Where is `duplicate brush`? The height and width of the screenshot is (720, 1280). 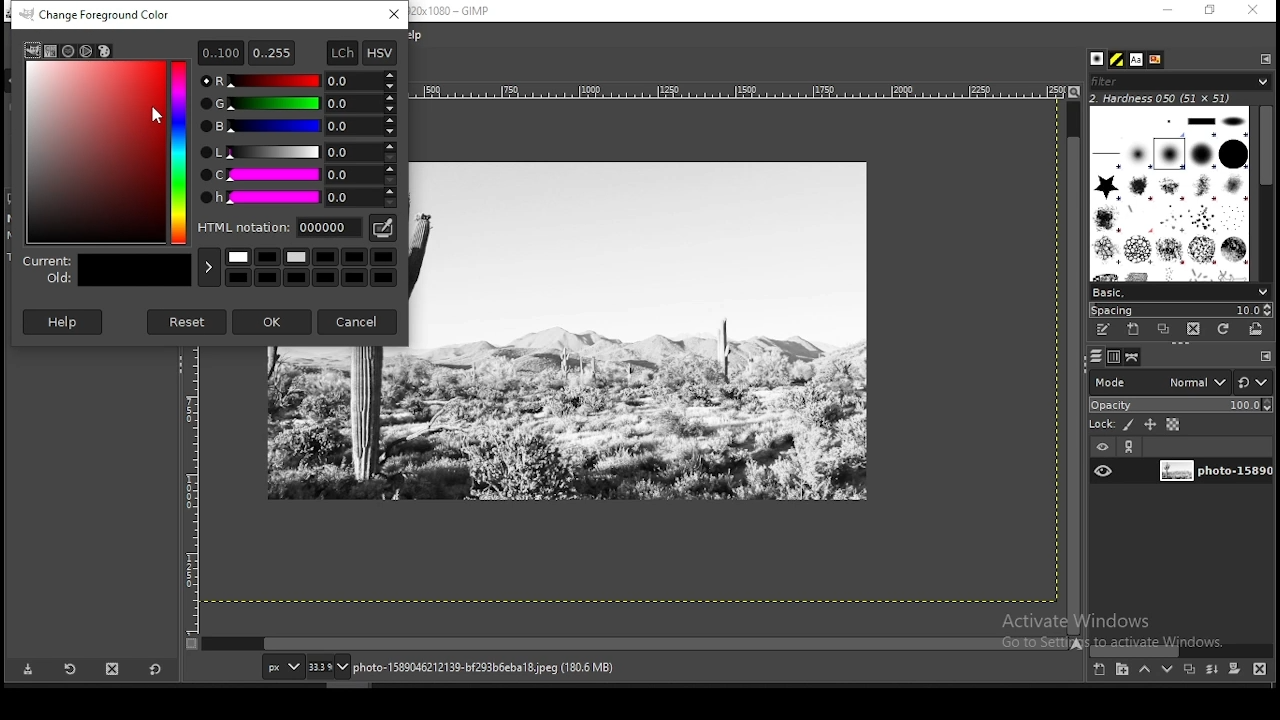 duplicate brush is located at coordinates (1163, 330).